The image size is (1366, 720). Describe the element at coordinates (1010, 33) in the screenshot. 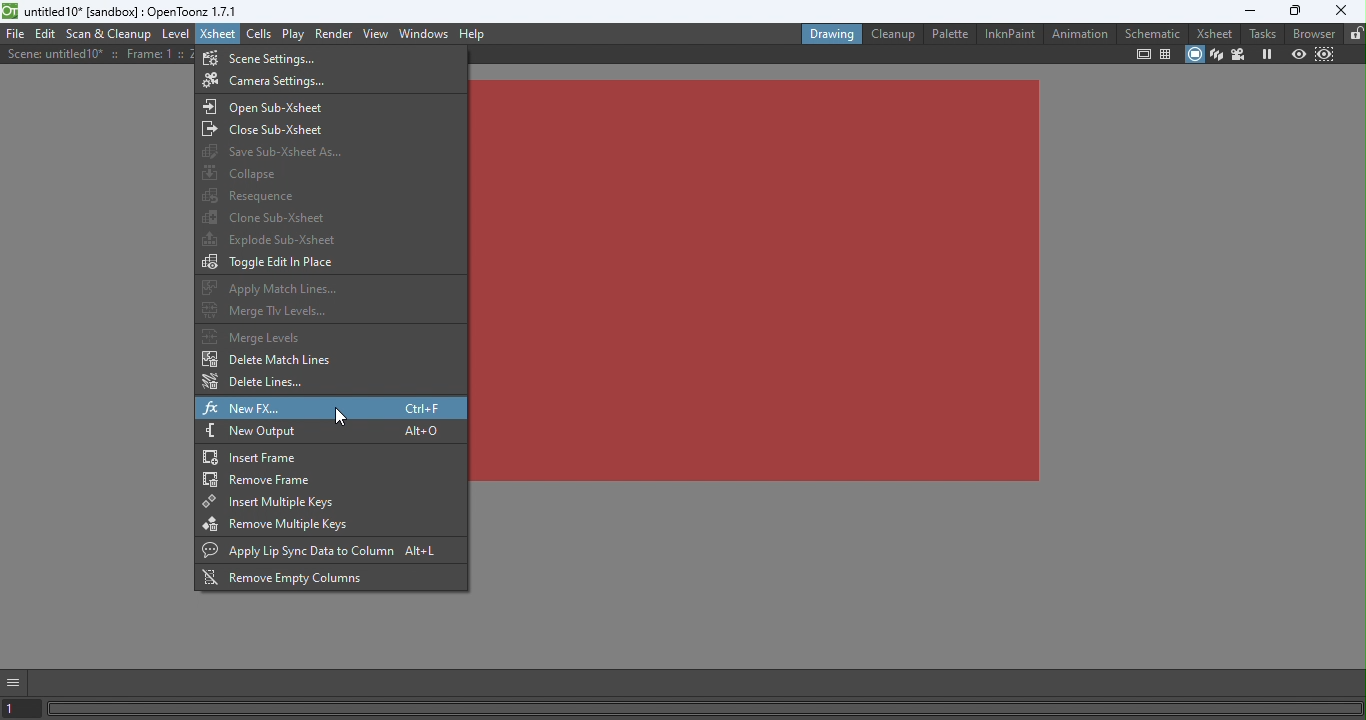

I see `InknPaint` at that location.